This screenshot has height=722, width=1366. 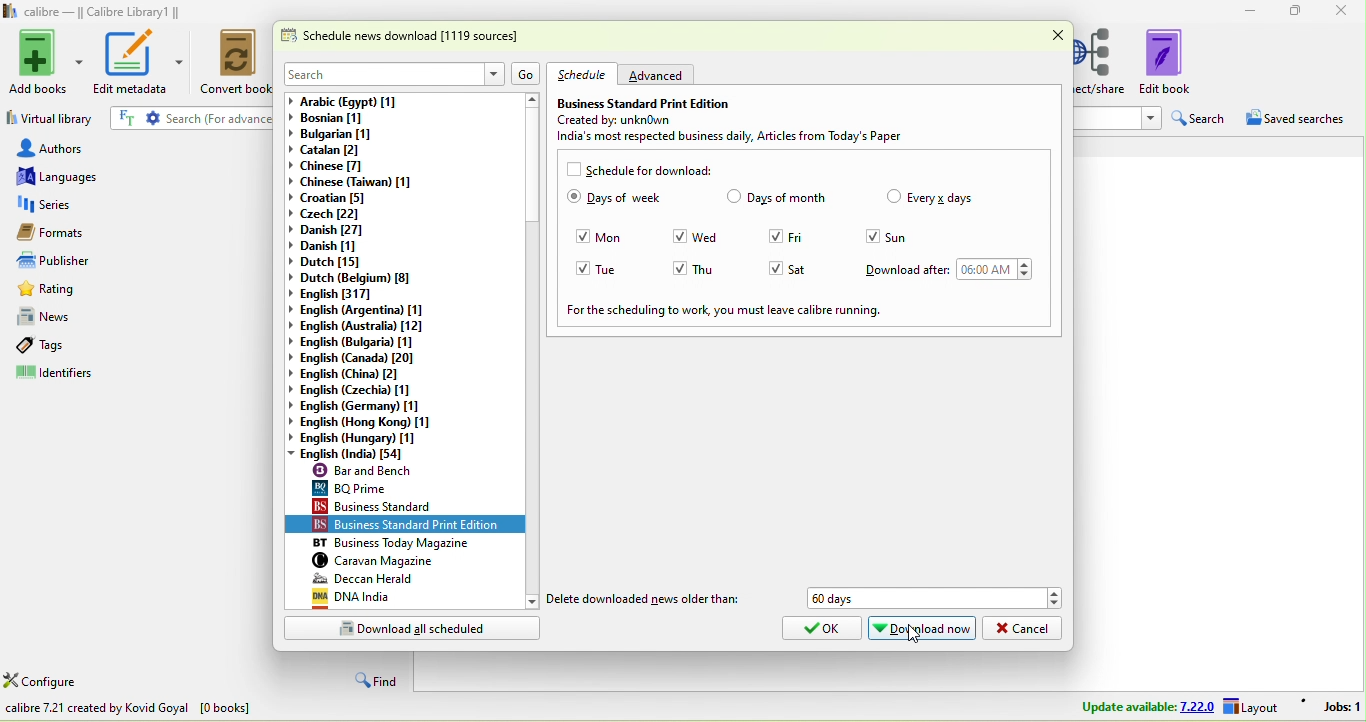 What do you see at coordinates (812, 268) in the screenshot?
I see `sat` at bounding box center [812, 268].